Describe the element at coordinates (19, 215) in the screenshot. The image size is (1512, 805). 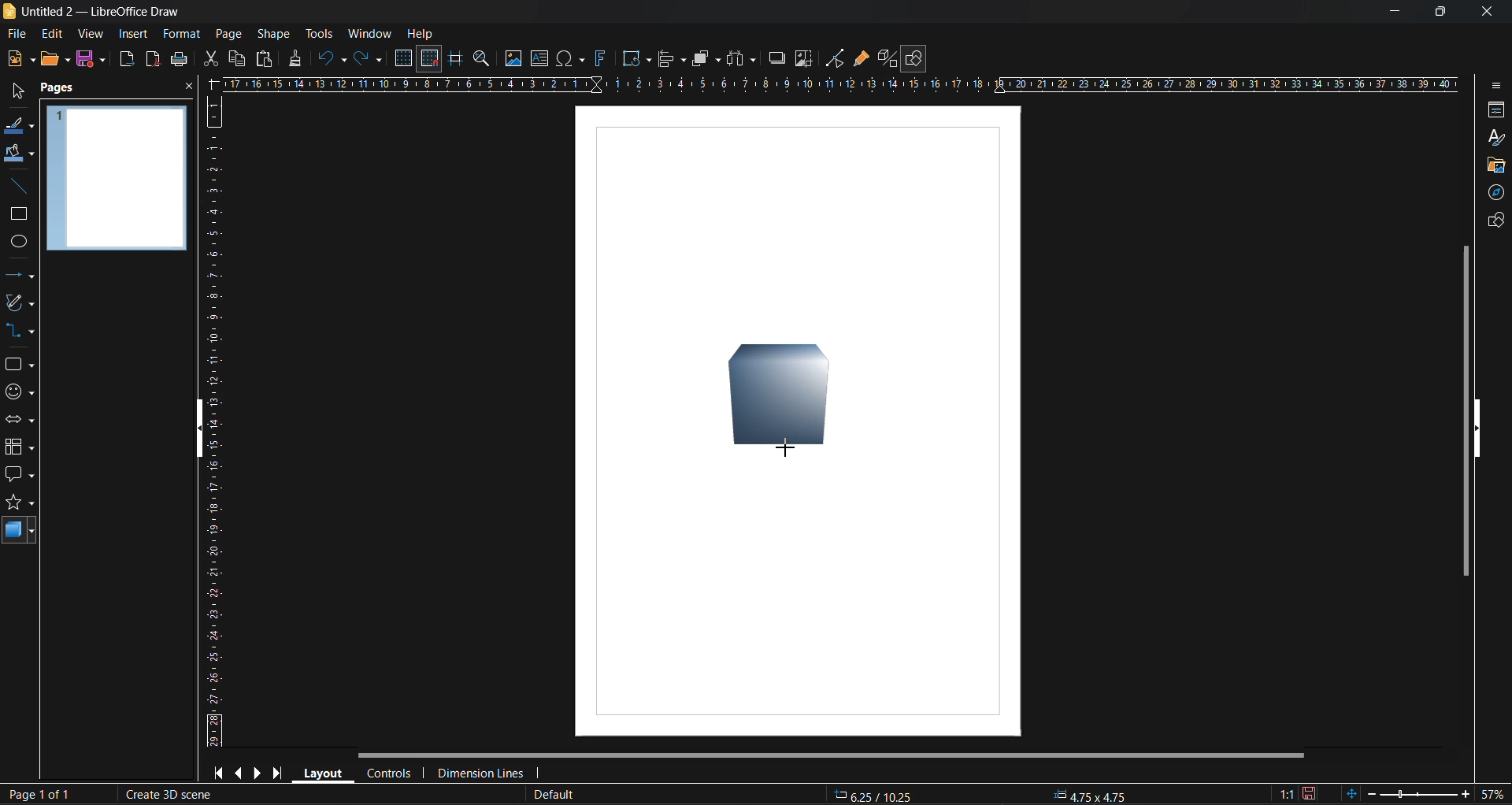
I see `rectangle` at that location.